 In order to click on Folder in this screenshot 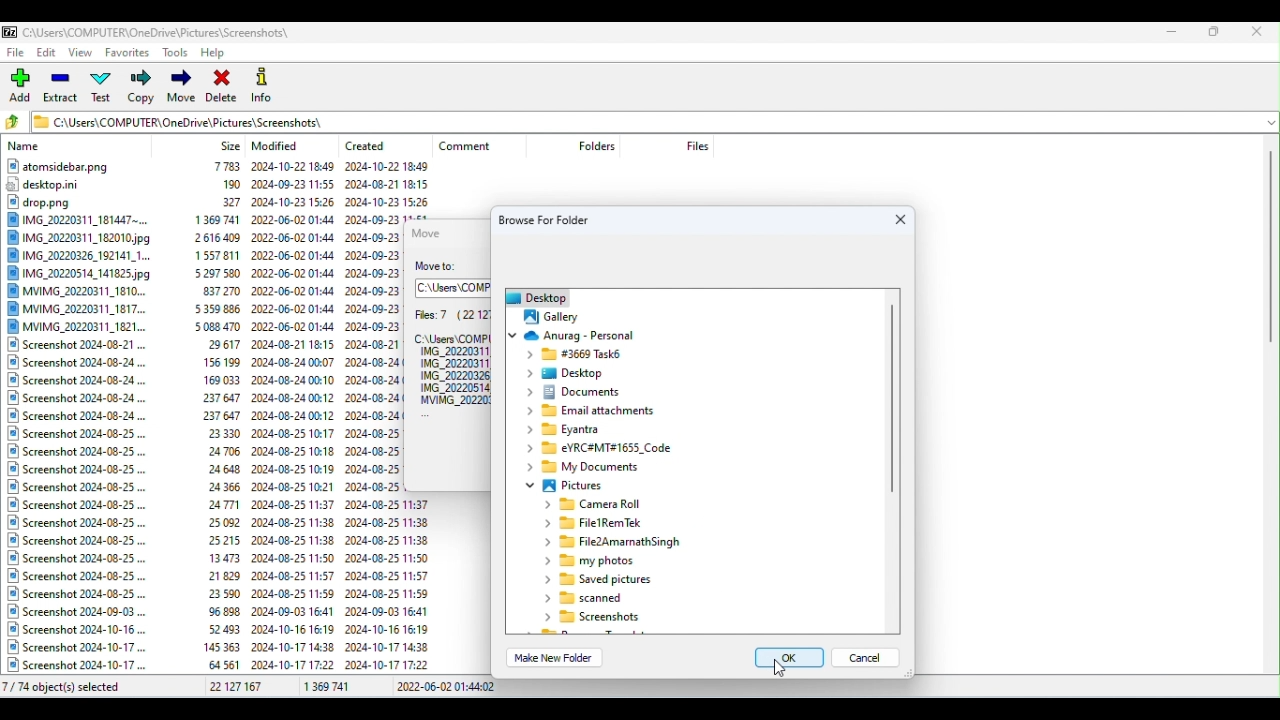, I will do `click(574, 355)`.